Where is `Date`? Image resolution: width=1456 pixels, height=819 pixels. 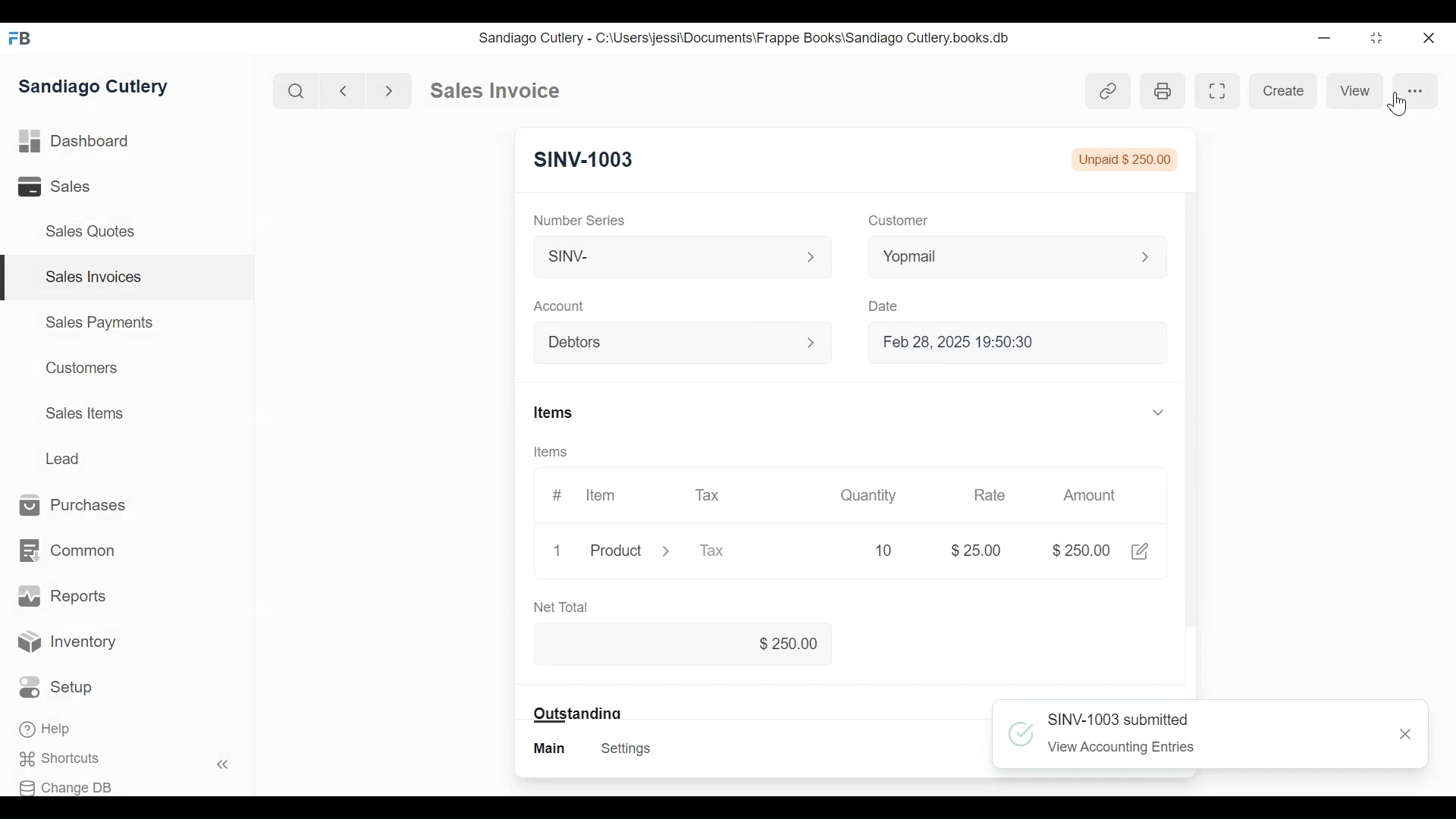 Date is located at coordinates (886, 306).